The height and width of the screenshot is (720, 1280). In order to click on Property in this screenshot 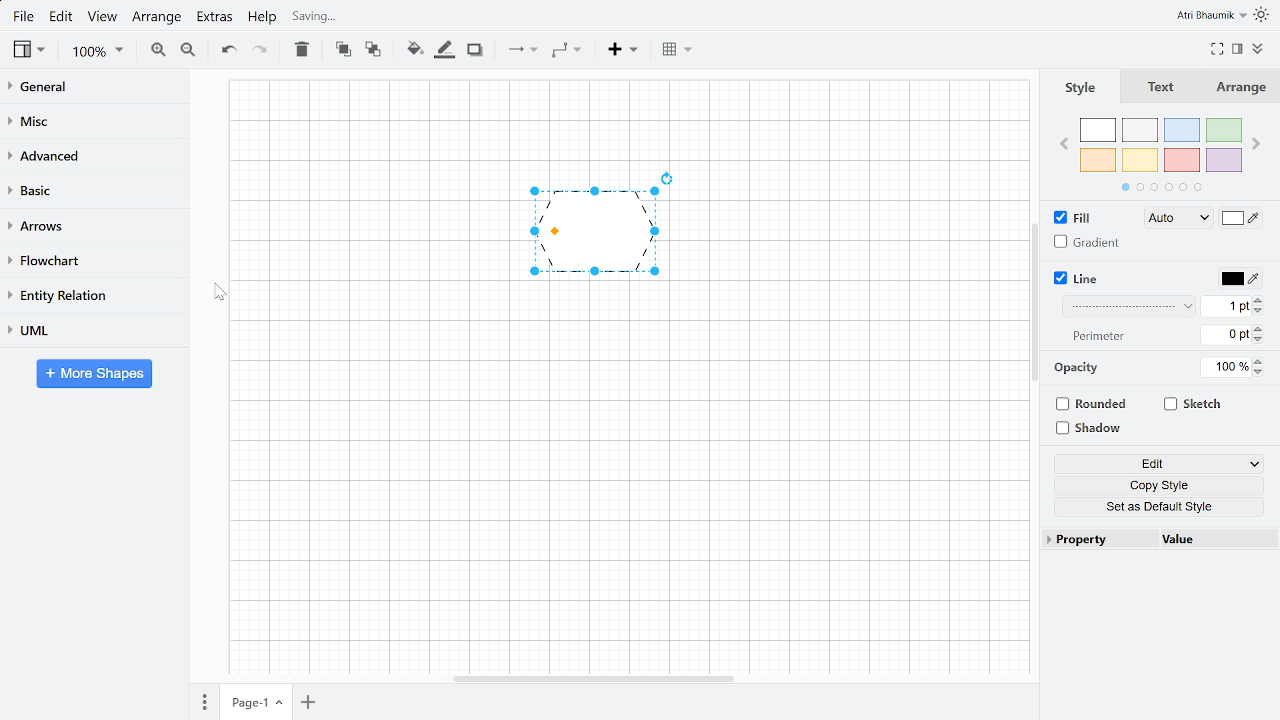, I will do `click(1101, 538)`.